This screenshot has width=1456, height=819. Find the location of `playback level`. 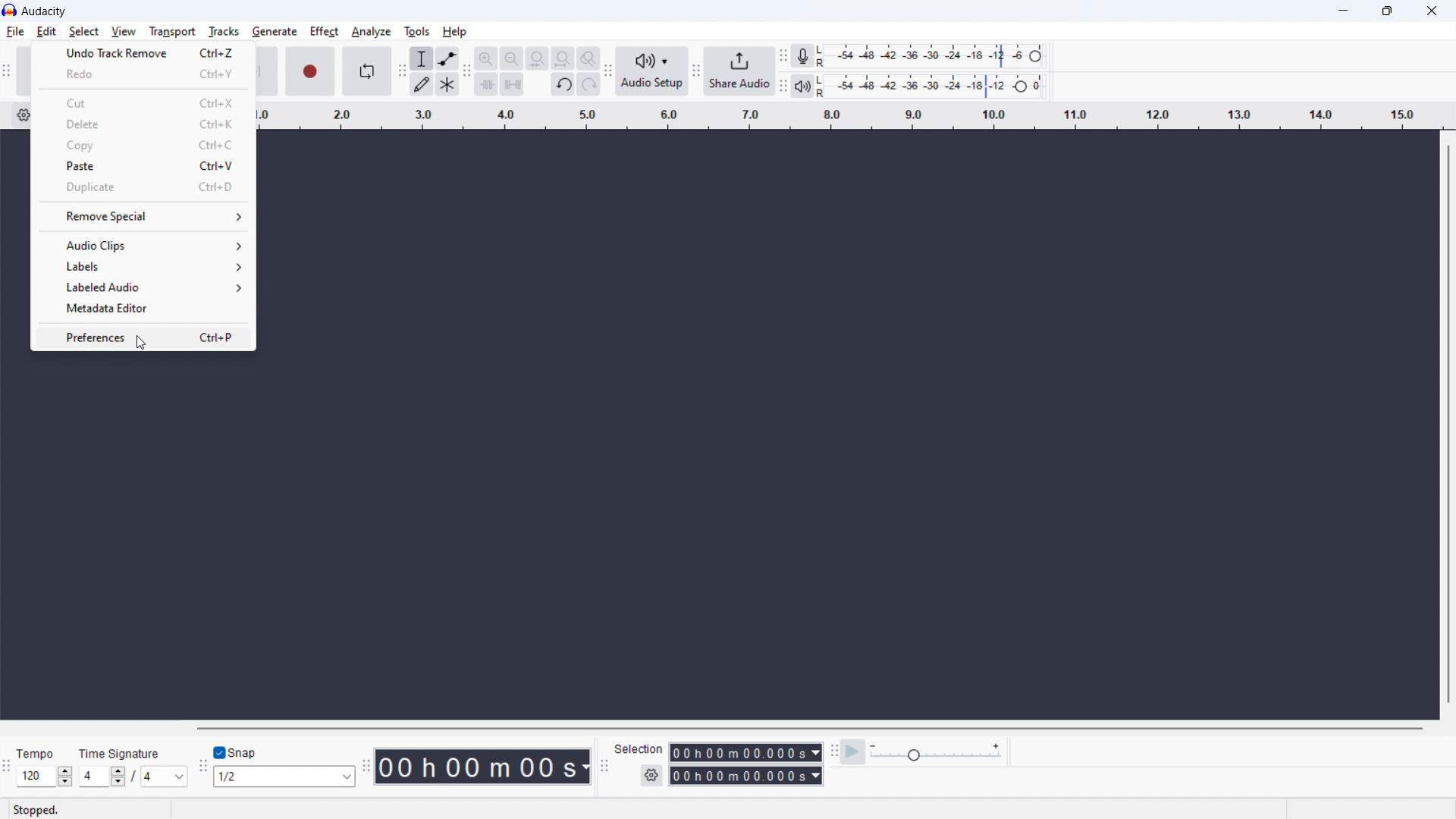

playback level is located at coordinates (914, 86).